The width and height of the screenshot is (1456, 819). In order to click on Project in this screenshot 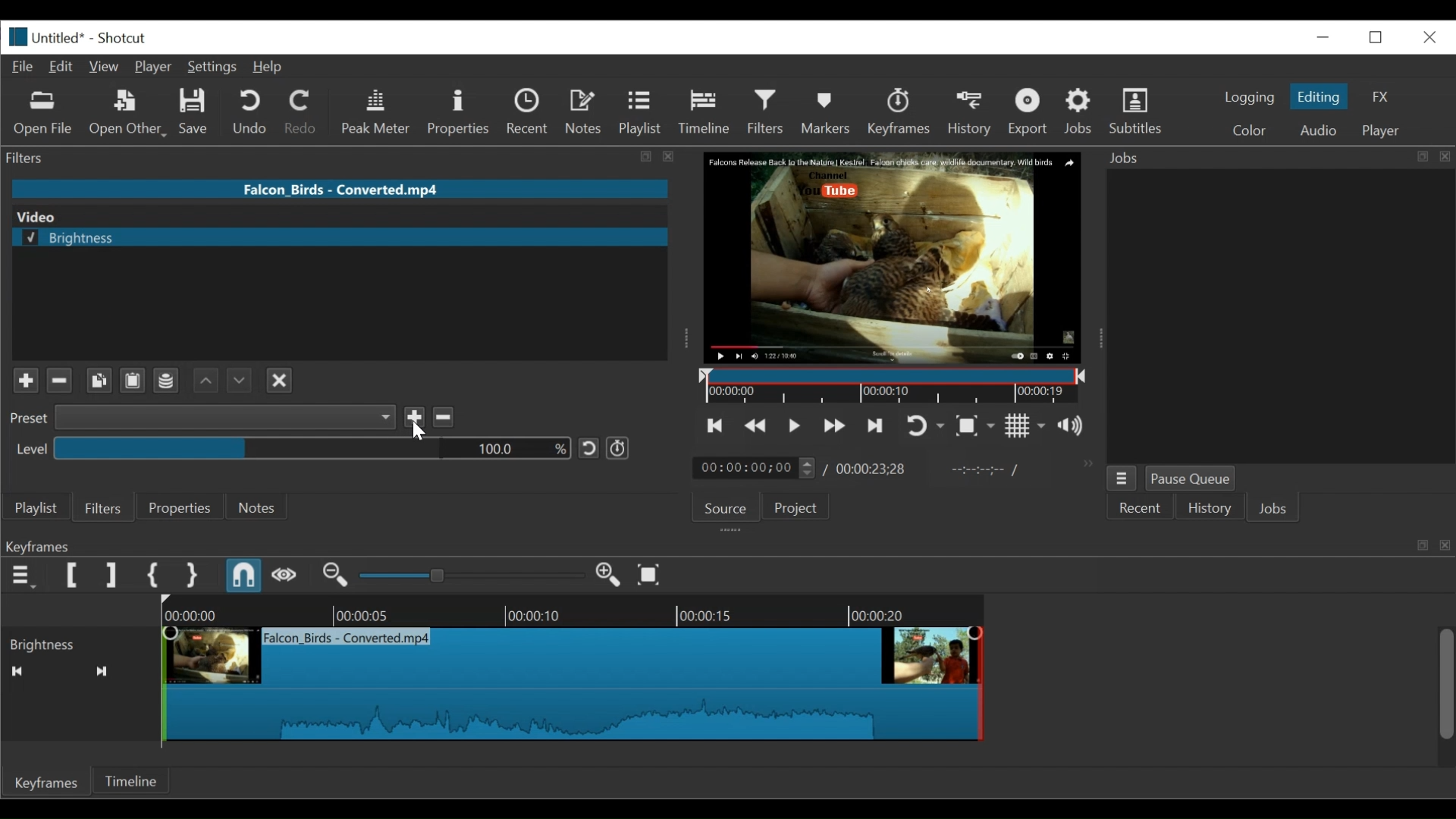, I will do `click(795, 507)`.